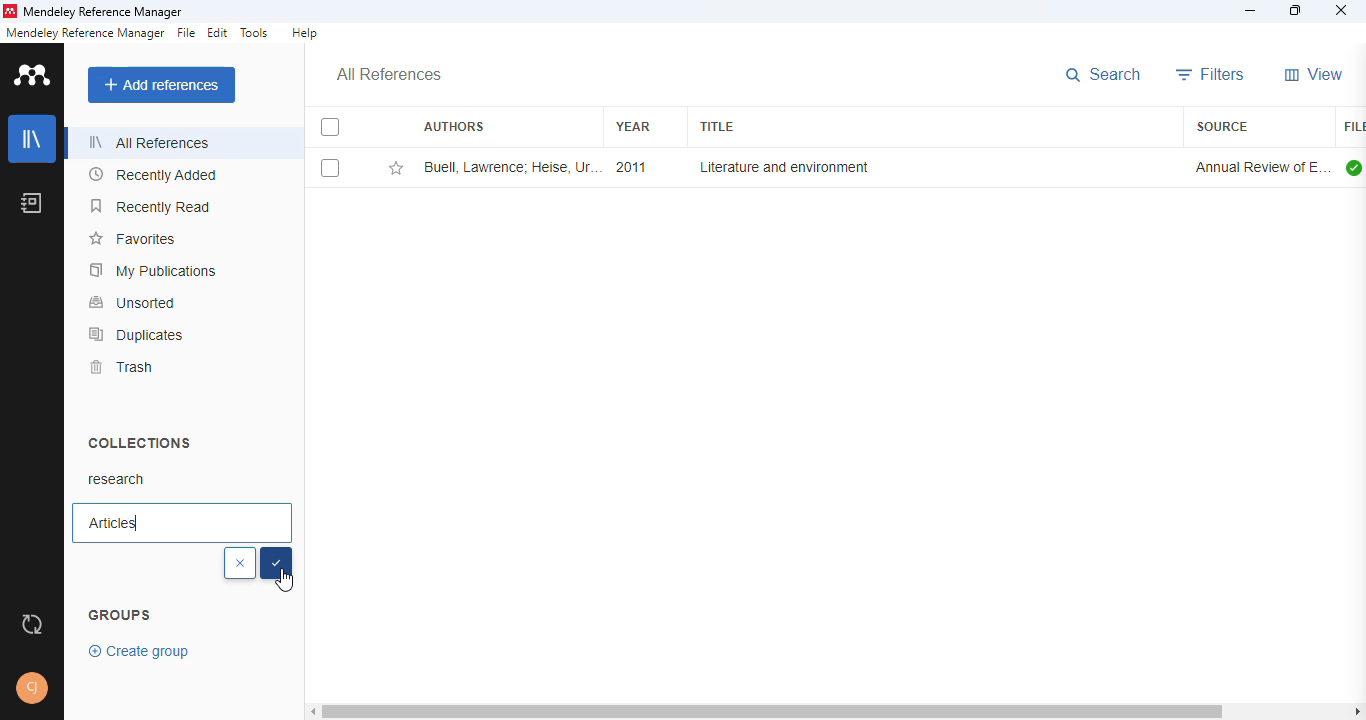 The height and width of the screenshot is (720, 1366). What do you see at coordinates (396, 168) in the screenshot?
I see `add this reference to favorites` at bounding box center [396, 168].